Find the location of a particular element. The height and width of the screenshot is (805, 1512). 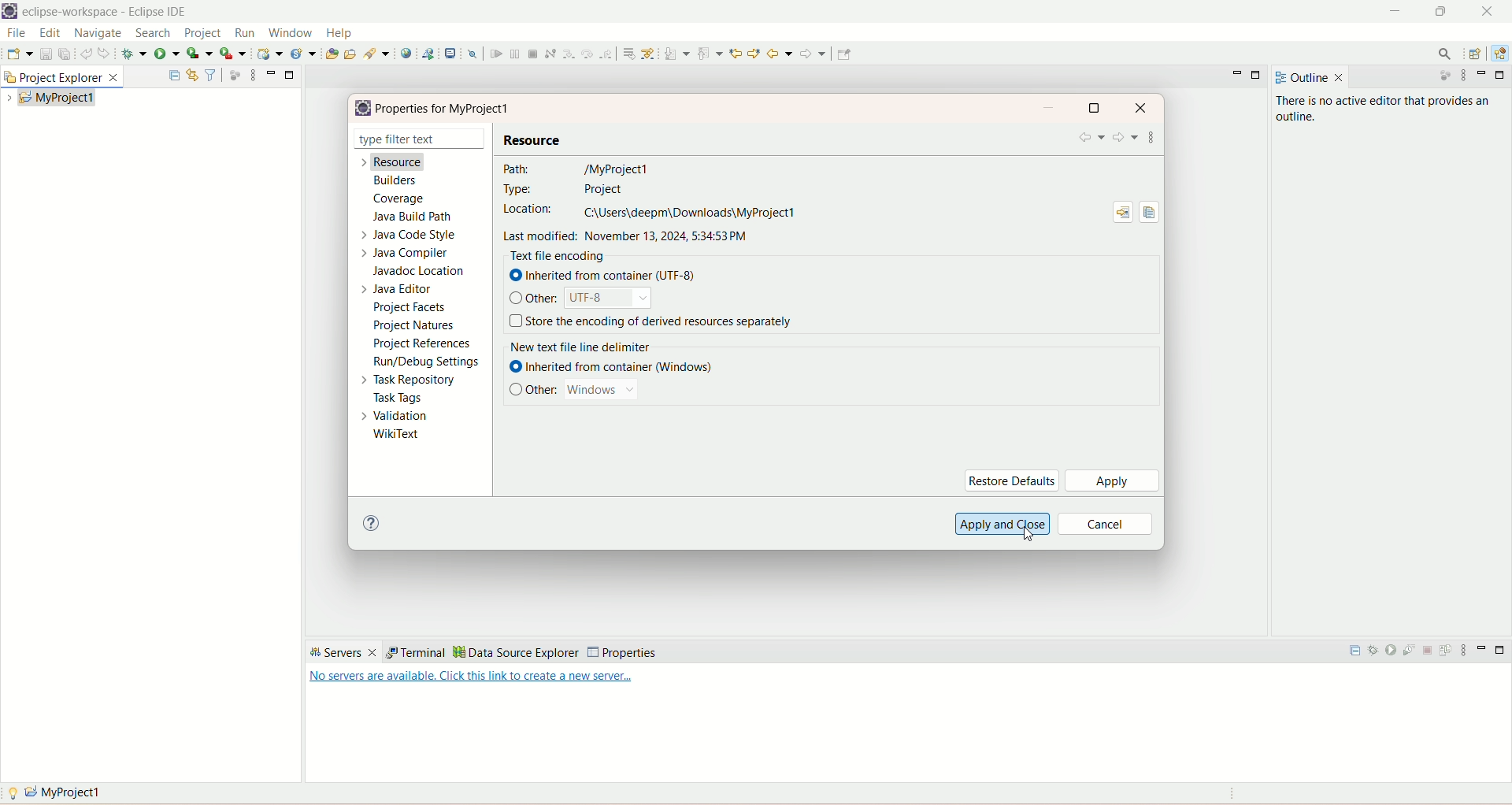

logo is located at coordinates (361, 108).